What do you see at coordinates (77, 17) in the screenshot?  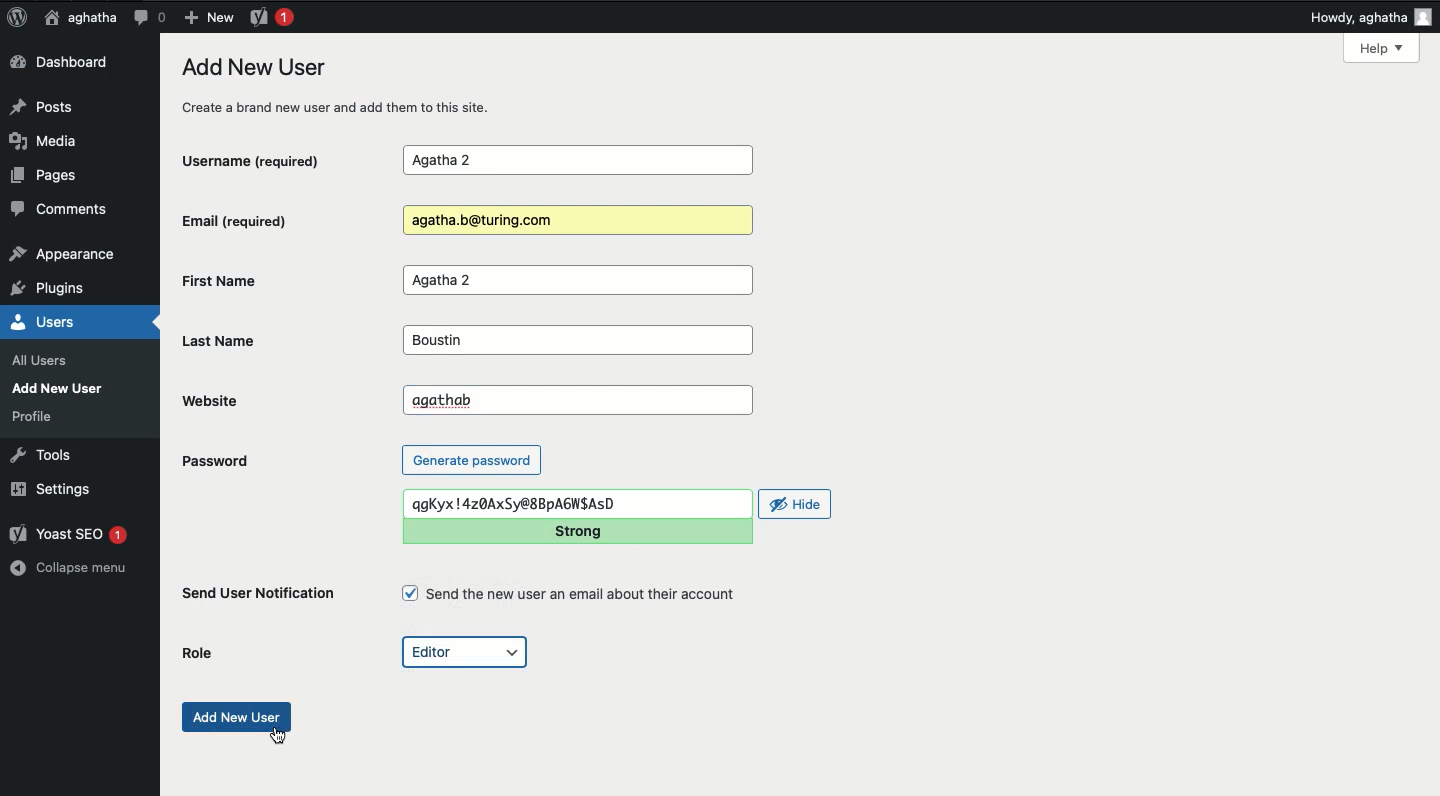 I see `aghatha` at bounding box center [77, 17].